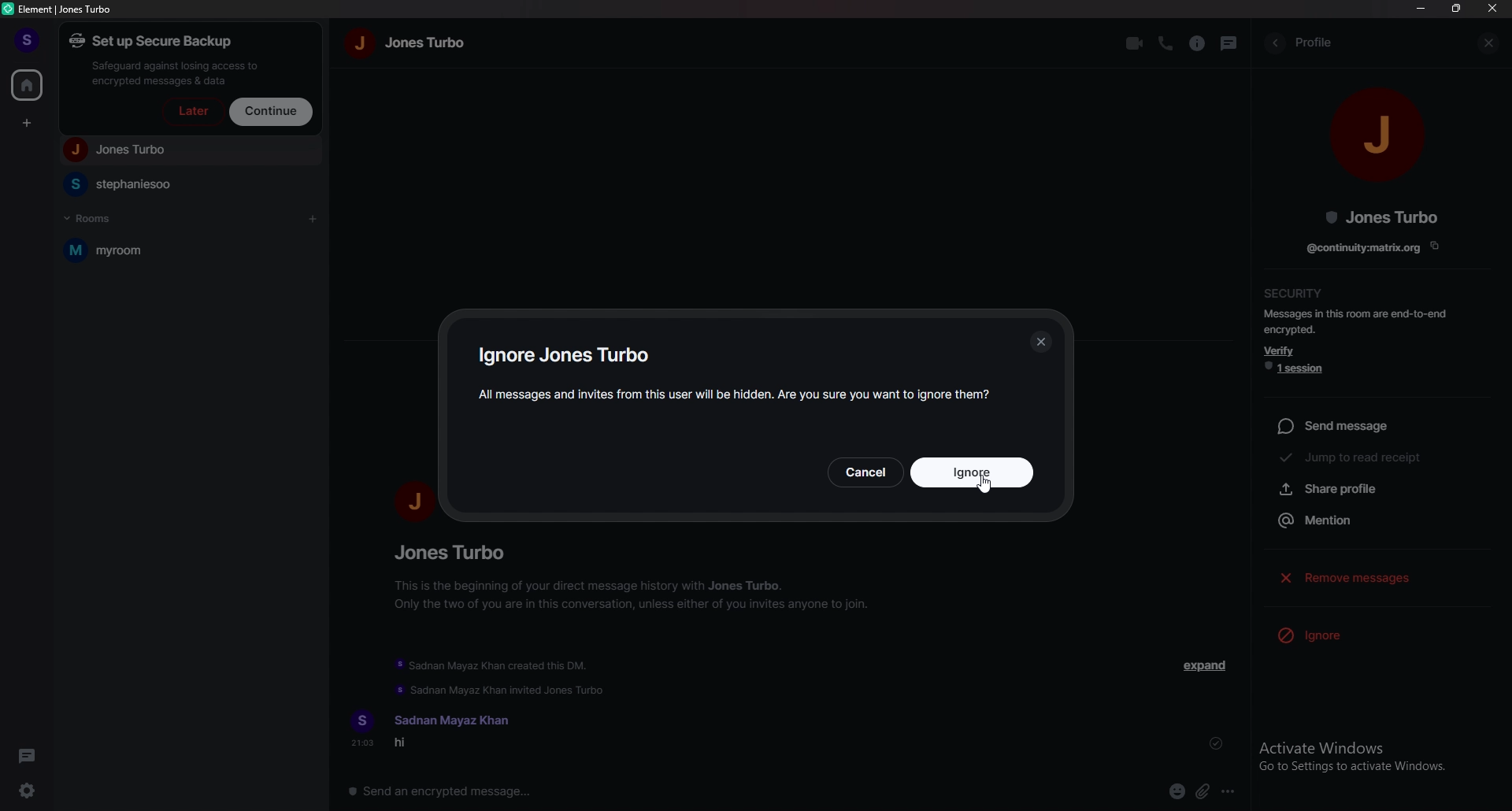 The image size is (1512, 811). I want to click on cancel, so click(862, 473).